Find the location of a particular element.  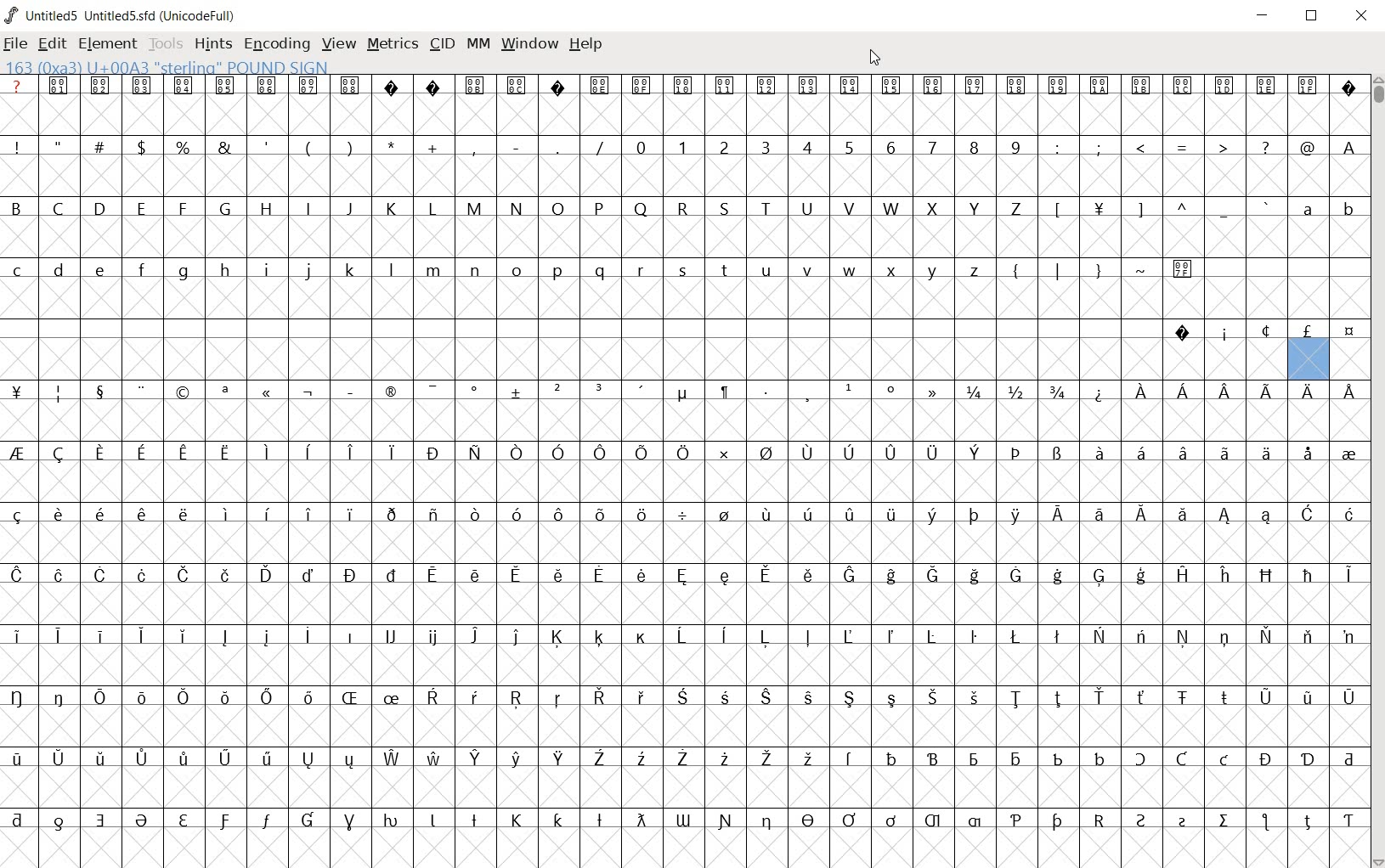

Symbol is located at coordinates (686, 392).